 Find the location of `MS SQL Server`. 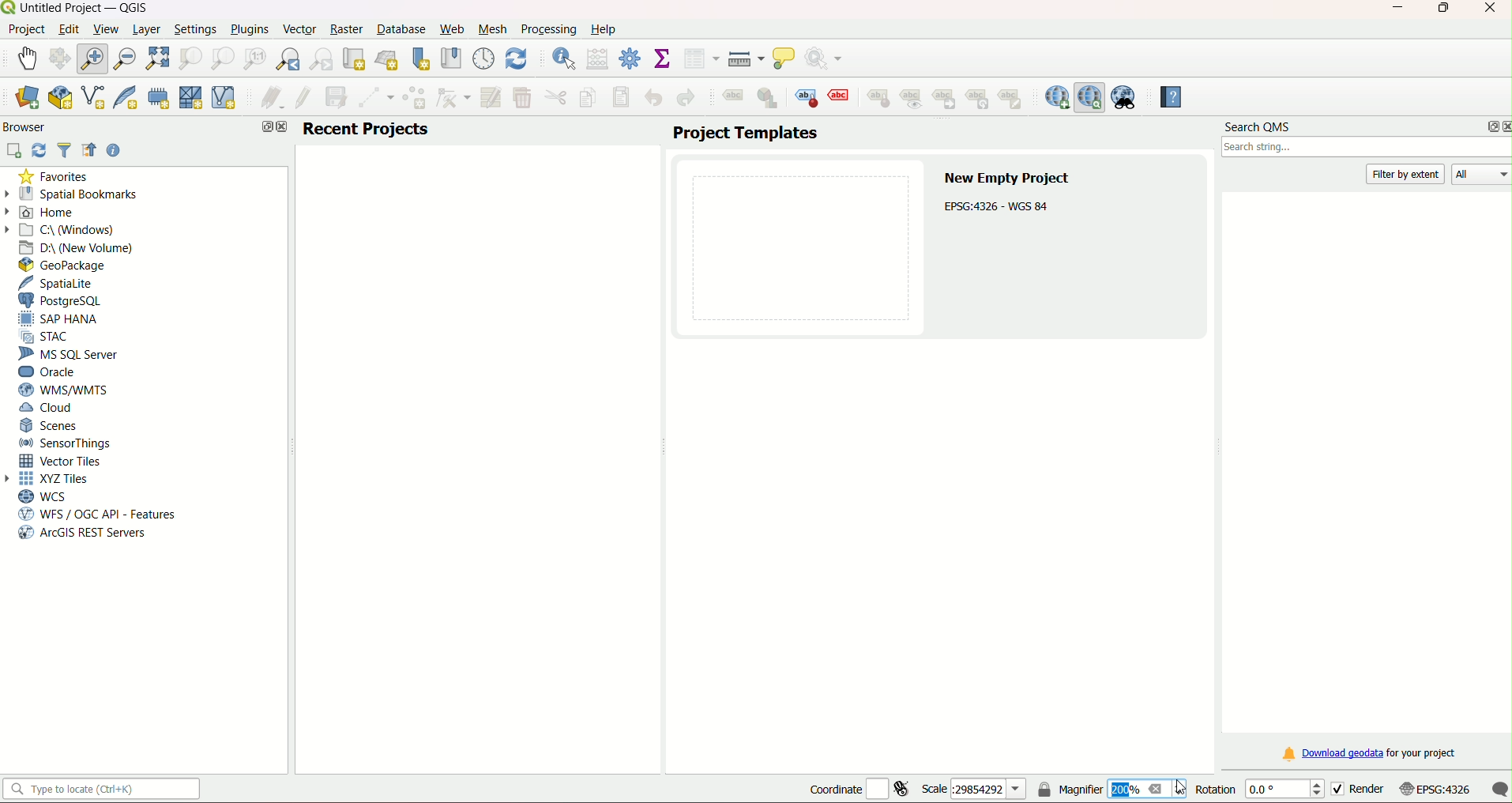

MS SQL Server is located at coordinates (70, 355).